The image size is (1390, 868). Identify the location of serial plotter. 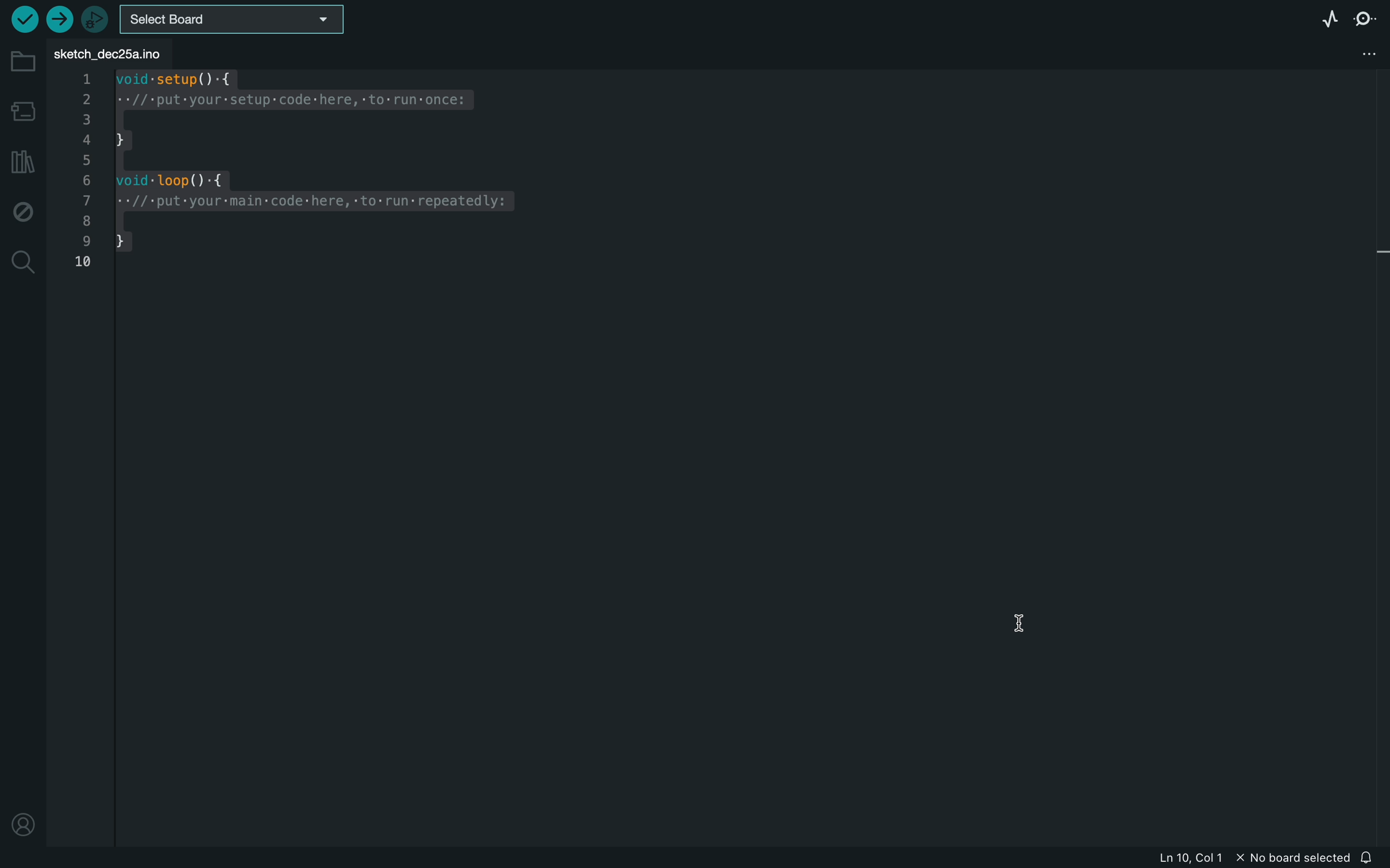
(1326, 18).